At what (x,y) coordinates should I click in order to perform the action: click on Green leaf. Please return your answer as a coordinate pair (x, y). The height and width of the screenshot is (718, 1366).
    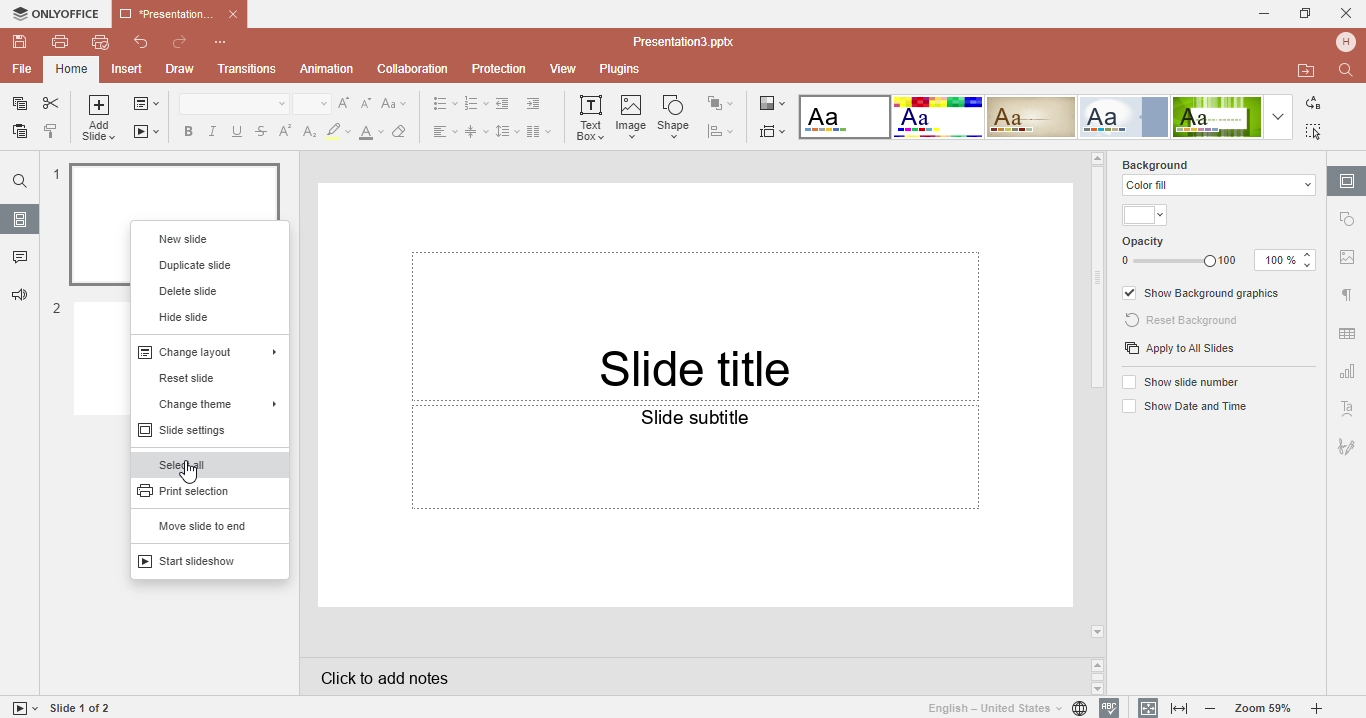
    Looking at the image, I should click on (1216, 117).